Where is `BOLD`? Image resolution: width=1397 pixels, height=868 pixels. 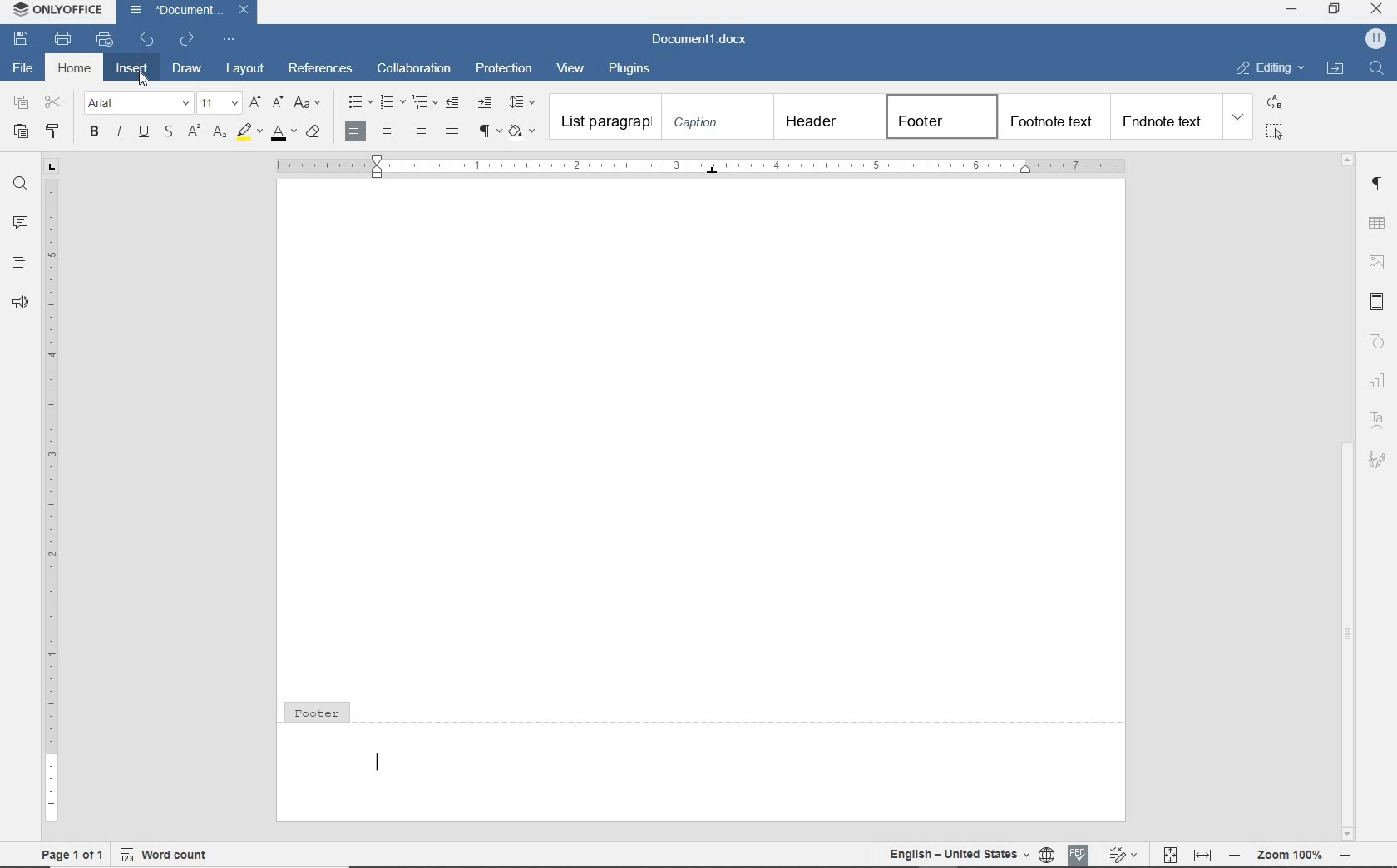 BOLD is located at coordinates (93, 132).